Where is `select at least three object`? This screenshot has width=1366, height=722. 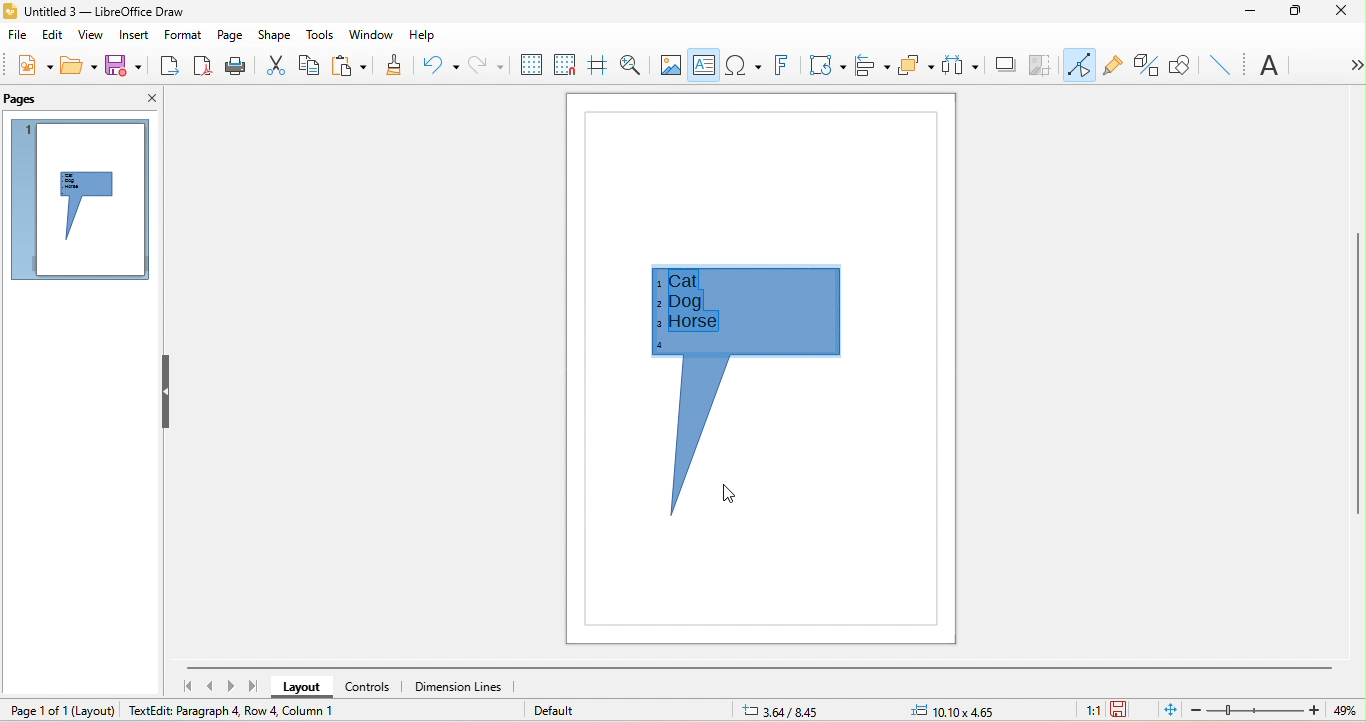
select at least three object is located at coordinates (960, 66).